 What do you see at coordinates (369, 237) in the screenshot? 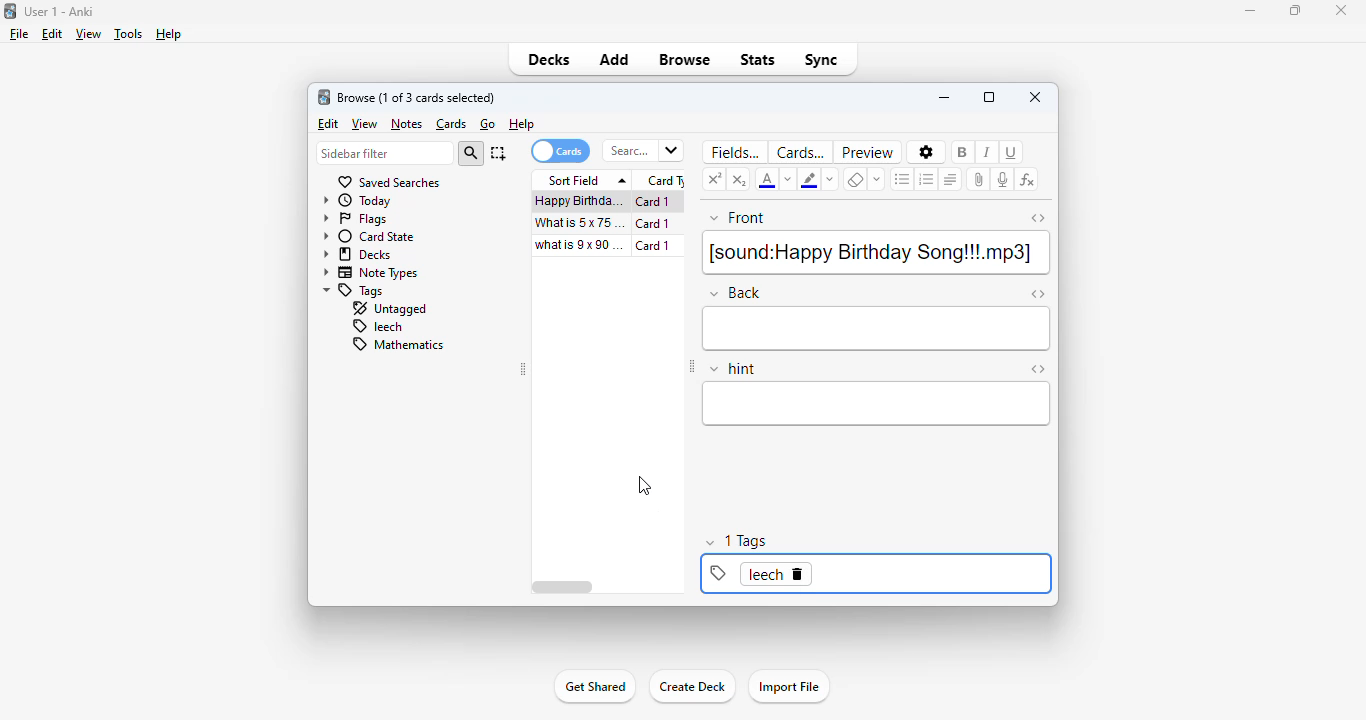
I see `card state` at bounding box center [369, 237].